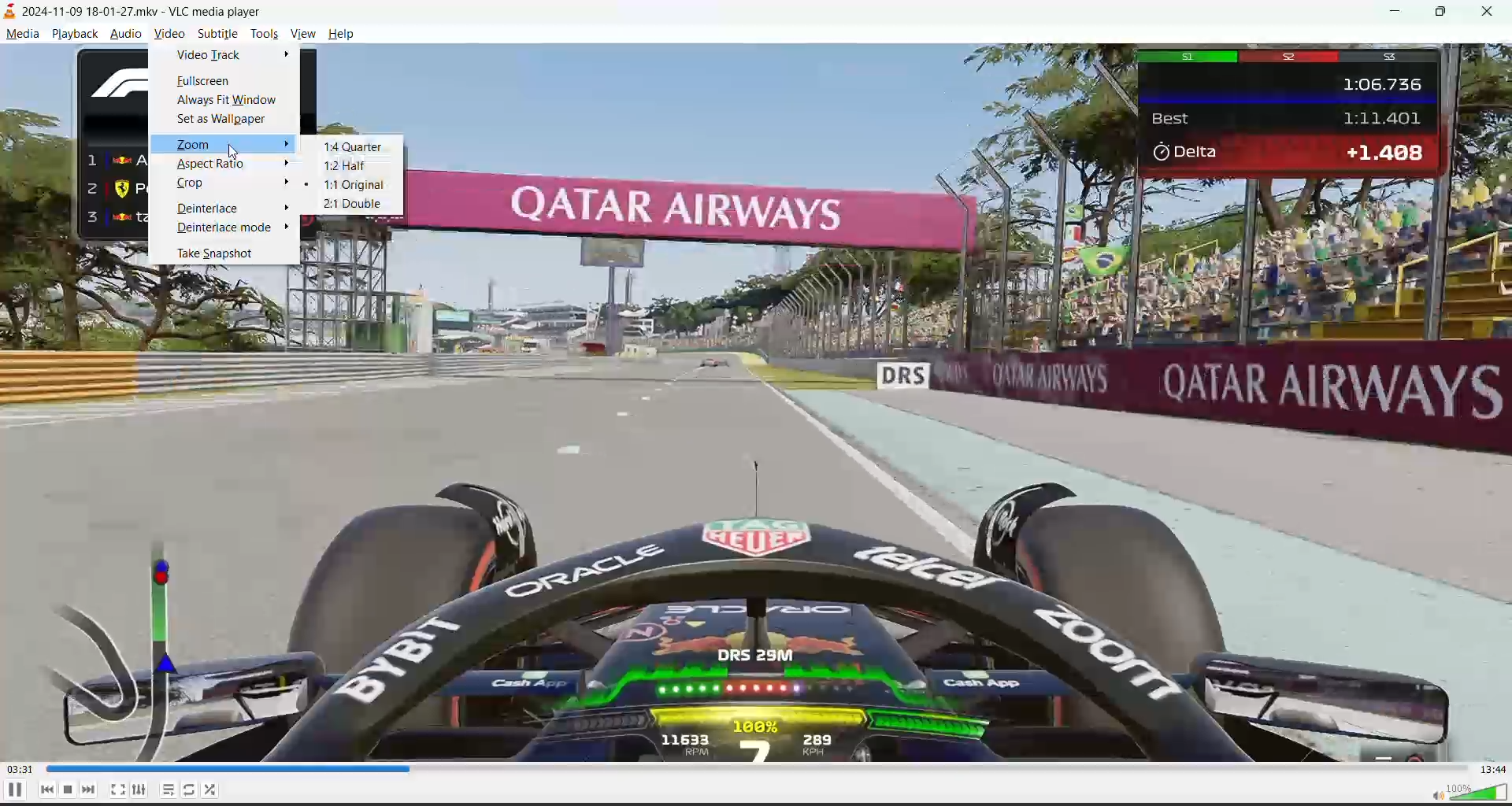  I want to click on deinterlace mode, so click(225, 229).